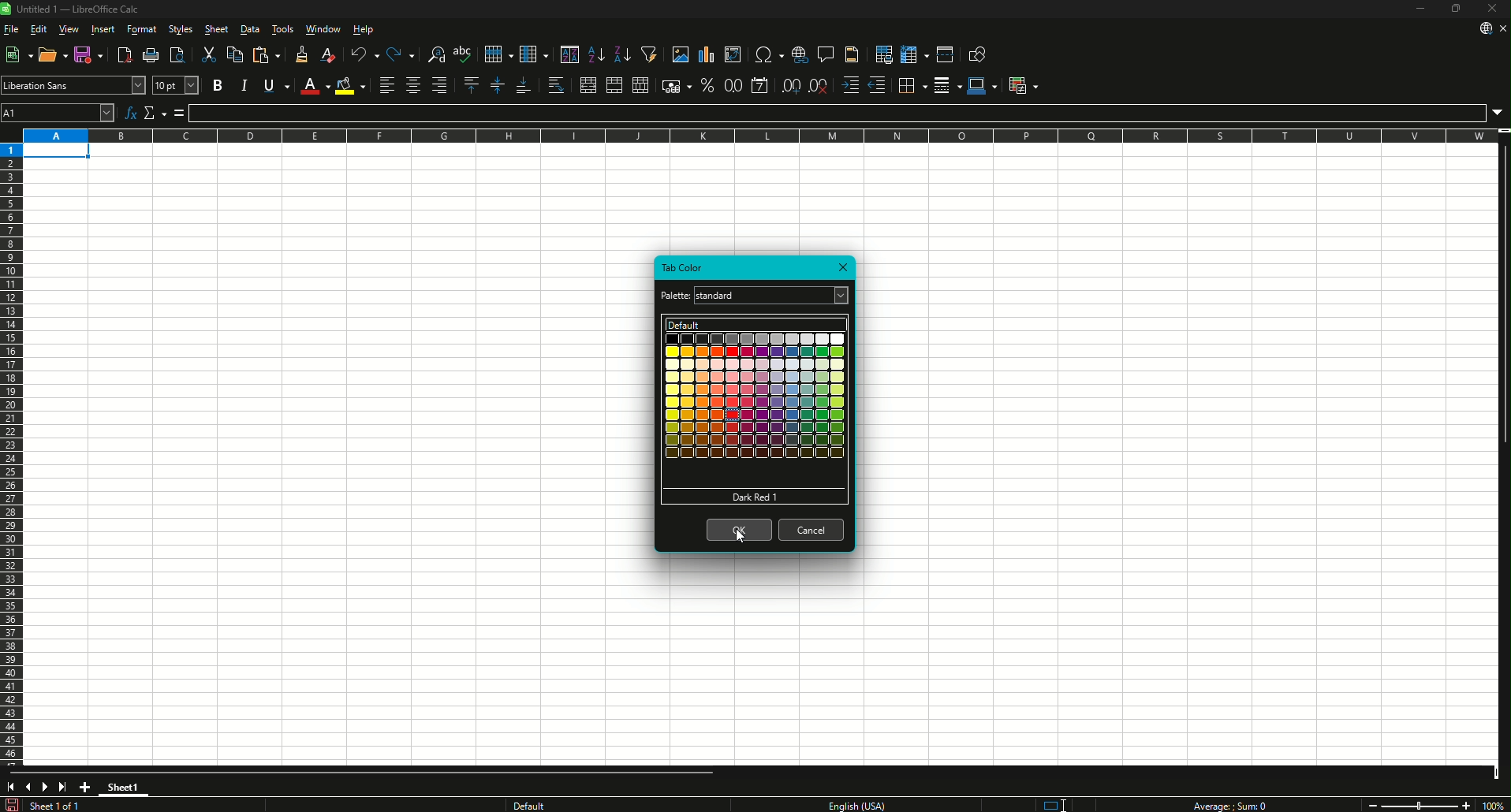 This screenshot has width=1511, height=812. Describe the element at coordinates (143, 28) in the screenshot. I see `Format` at that location.